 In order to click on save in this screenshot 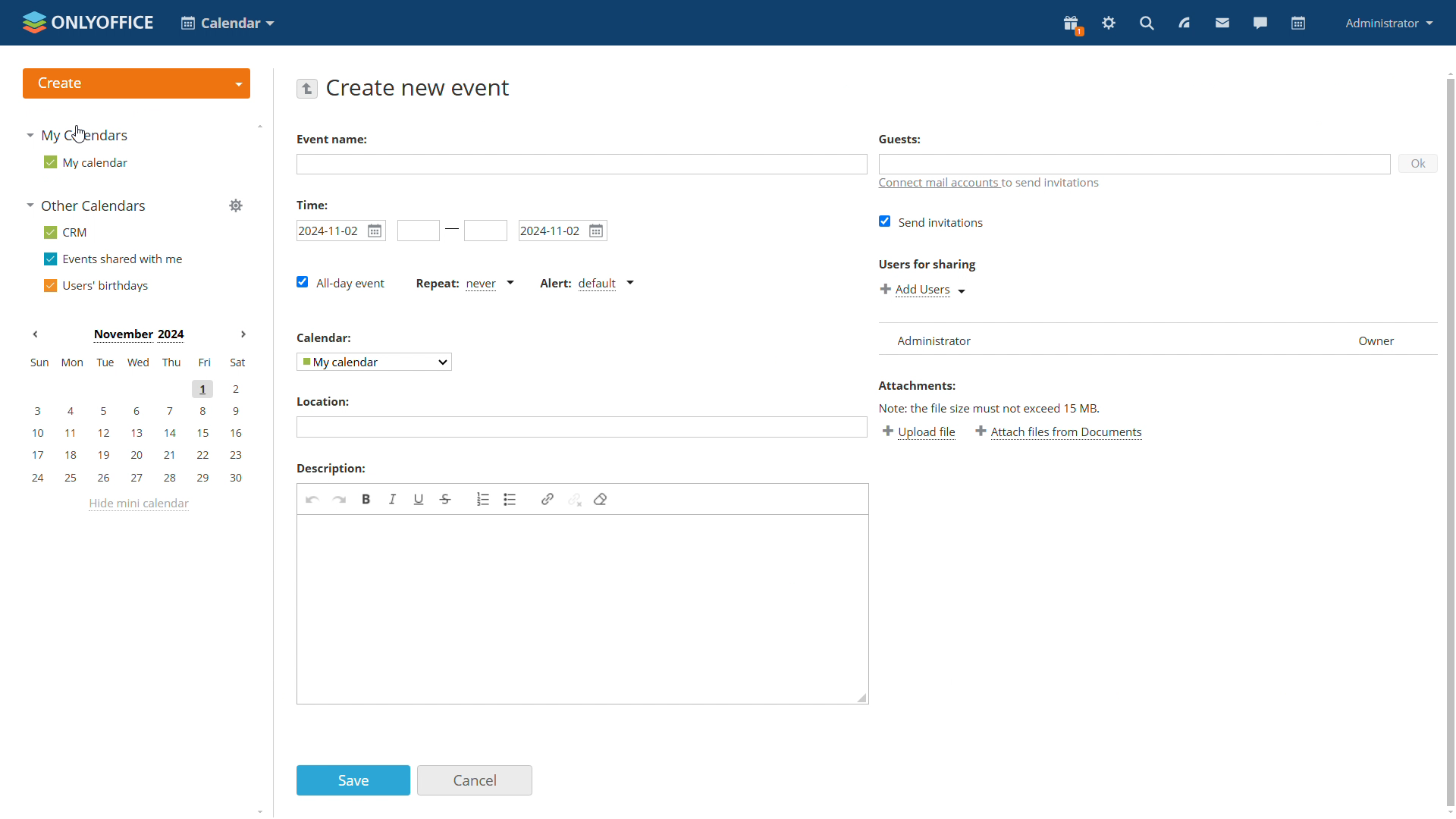, I will do `click(353, 781)`.